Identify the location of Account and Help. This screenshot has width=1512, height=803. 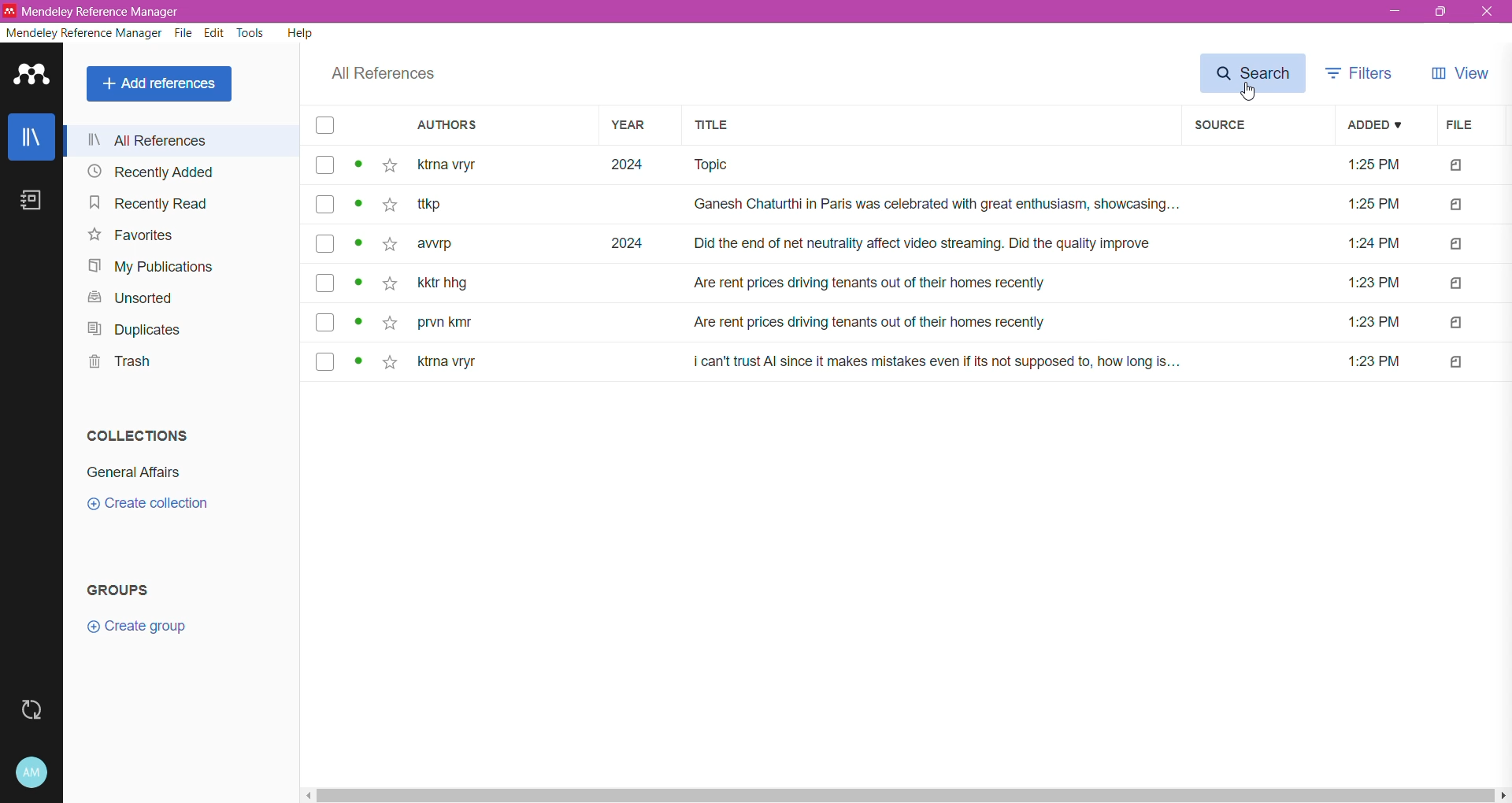
(32, 773).